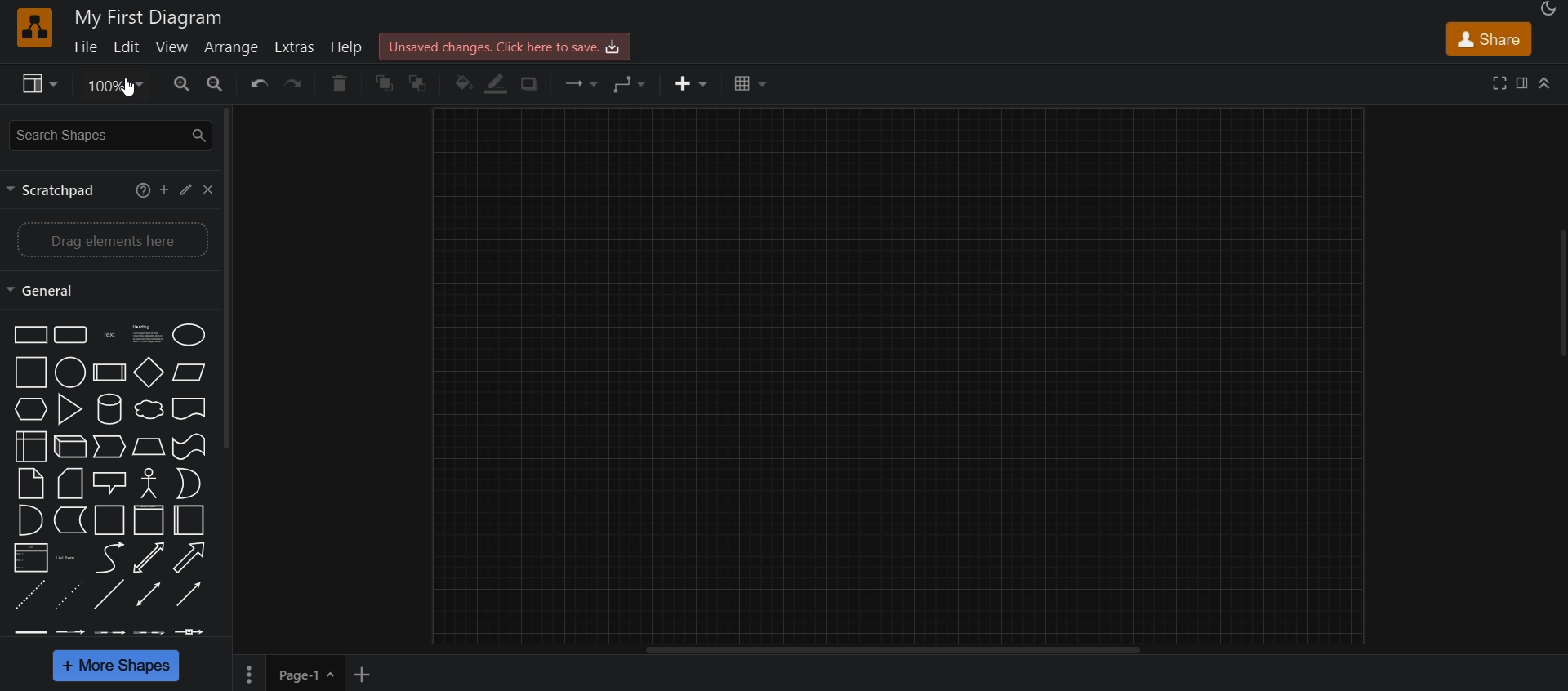  What do you see at coordinates (1557, 294) in the screenshot?
I see `scroll` at bounding box center [1557, 294].